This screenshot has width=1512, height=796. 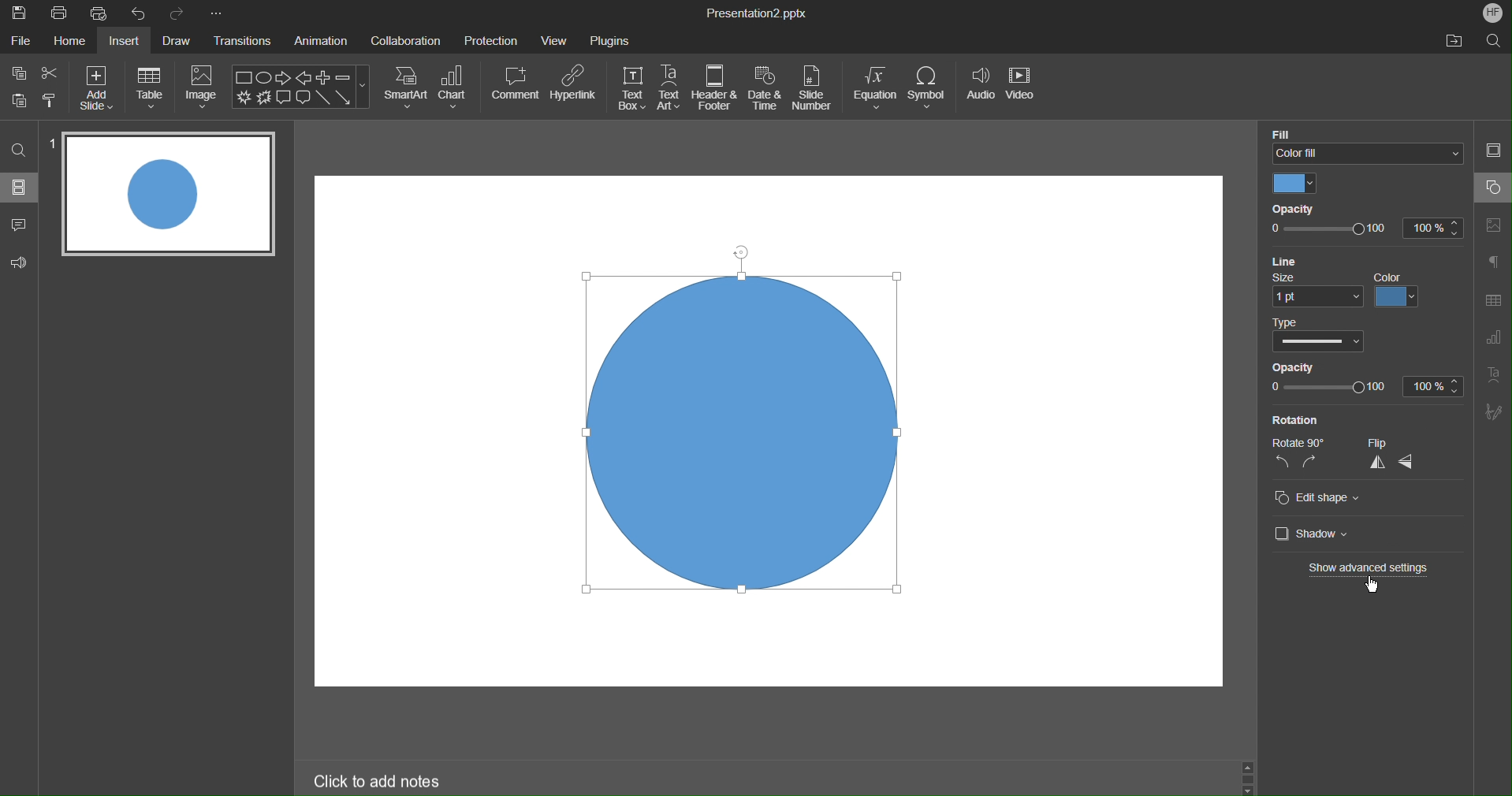 What do you see at coordinates (216, 13) in the screenshot?
I see `More` at bounding box center [216, 13].